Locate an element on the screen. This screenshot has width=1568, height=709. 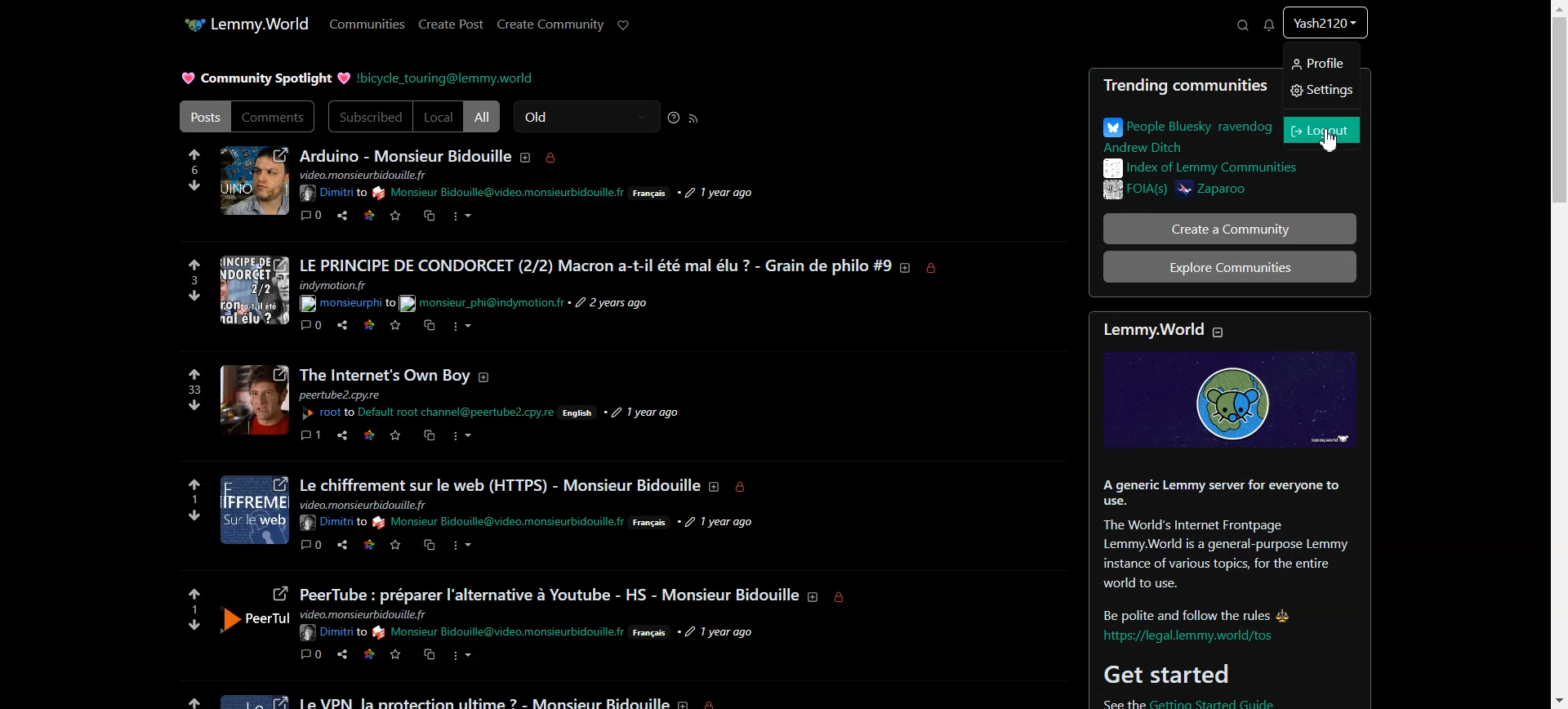
Posts is located at coordinates (203, 116).